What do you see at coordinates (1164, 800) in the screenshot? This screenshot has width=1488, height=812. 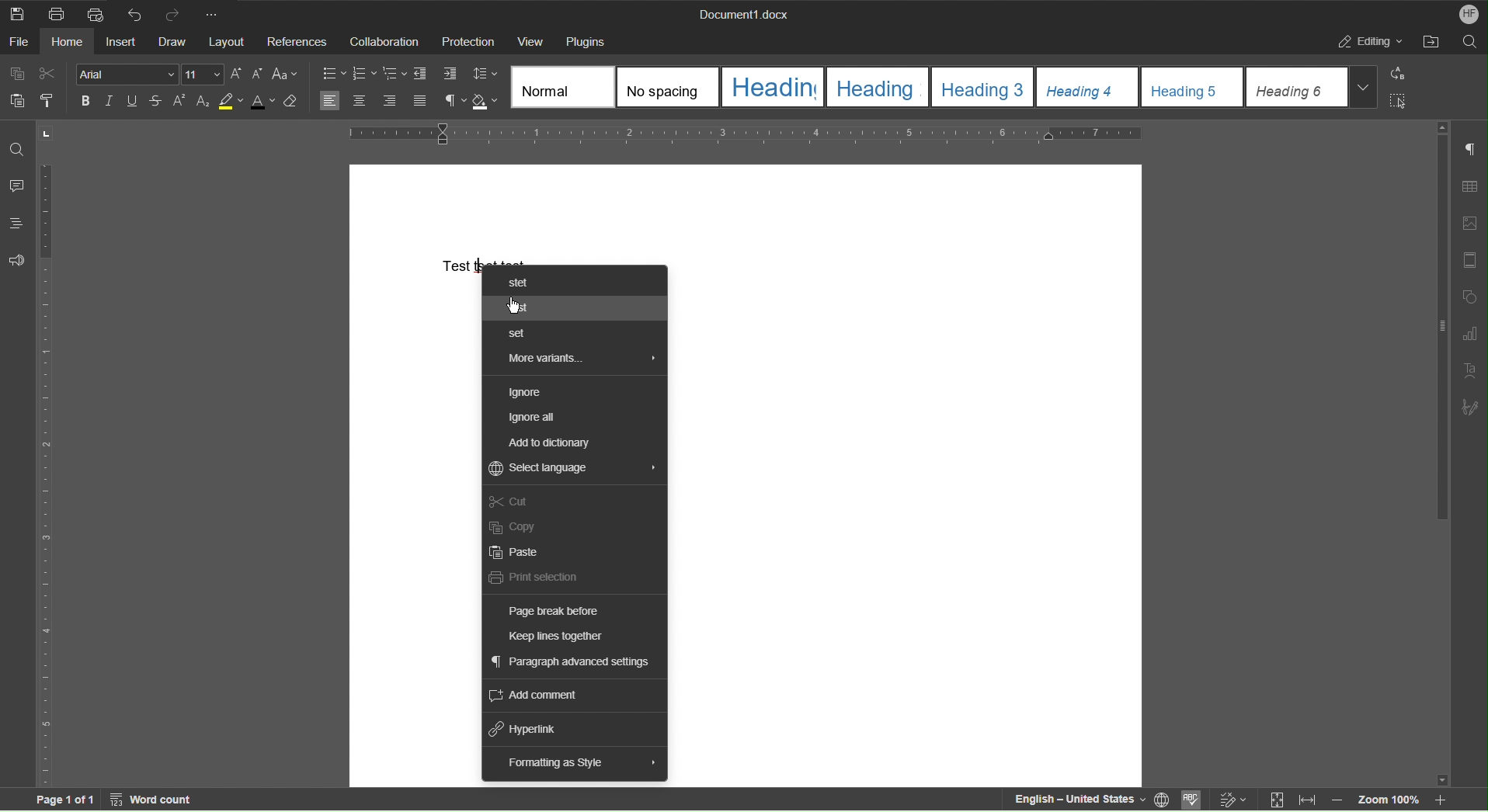 I see `Language` at bounding box center [1164, 800].